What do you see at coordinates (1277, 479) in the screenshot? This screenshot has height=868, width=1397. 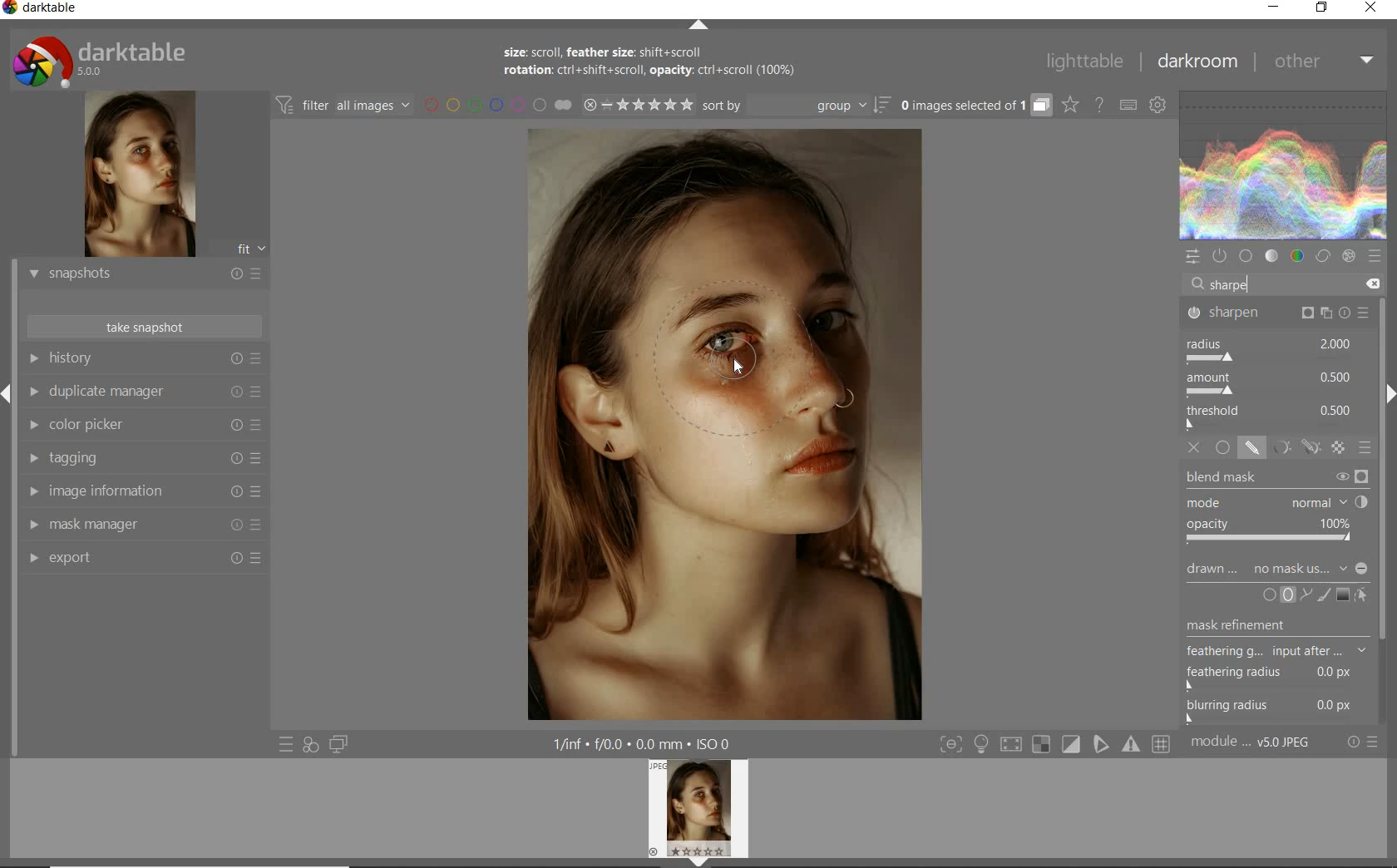 I see `BLEND MASK` at bounding box center [1277, 479].